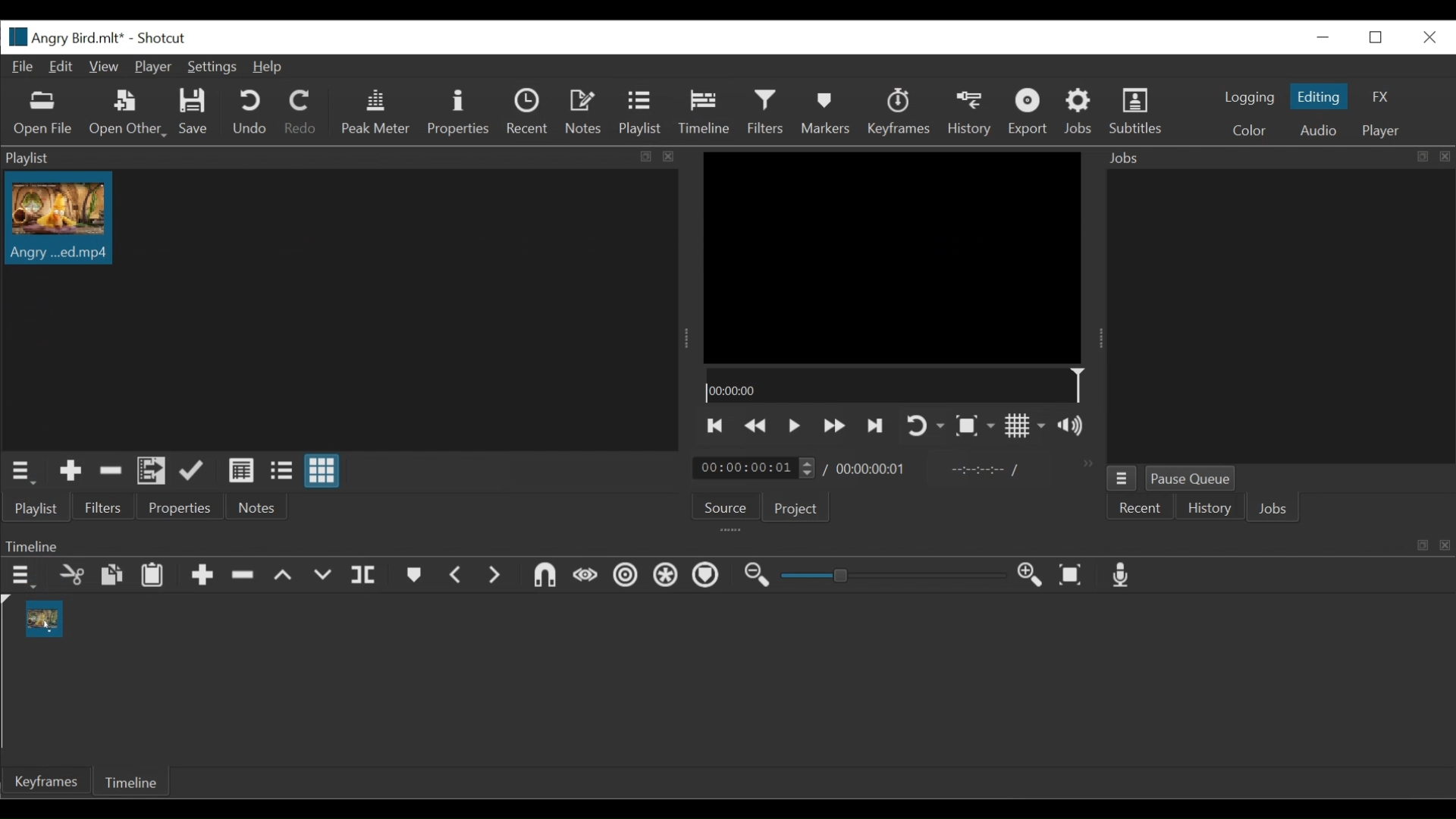  Describe the element at coordinates (152, 576) in the screenshot. I see `Paste` at that location.